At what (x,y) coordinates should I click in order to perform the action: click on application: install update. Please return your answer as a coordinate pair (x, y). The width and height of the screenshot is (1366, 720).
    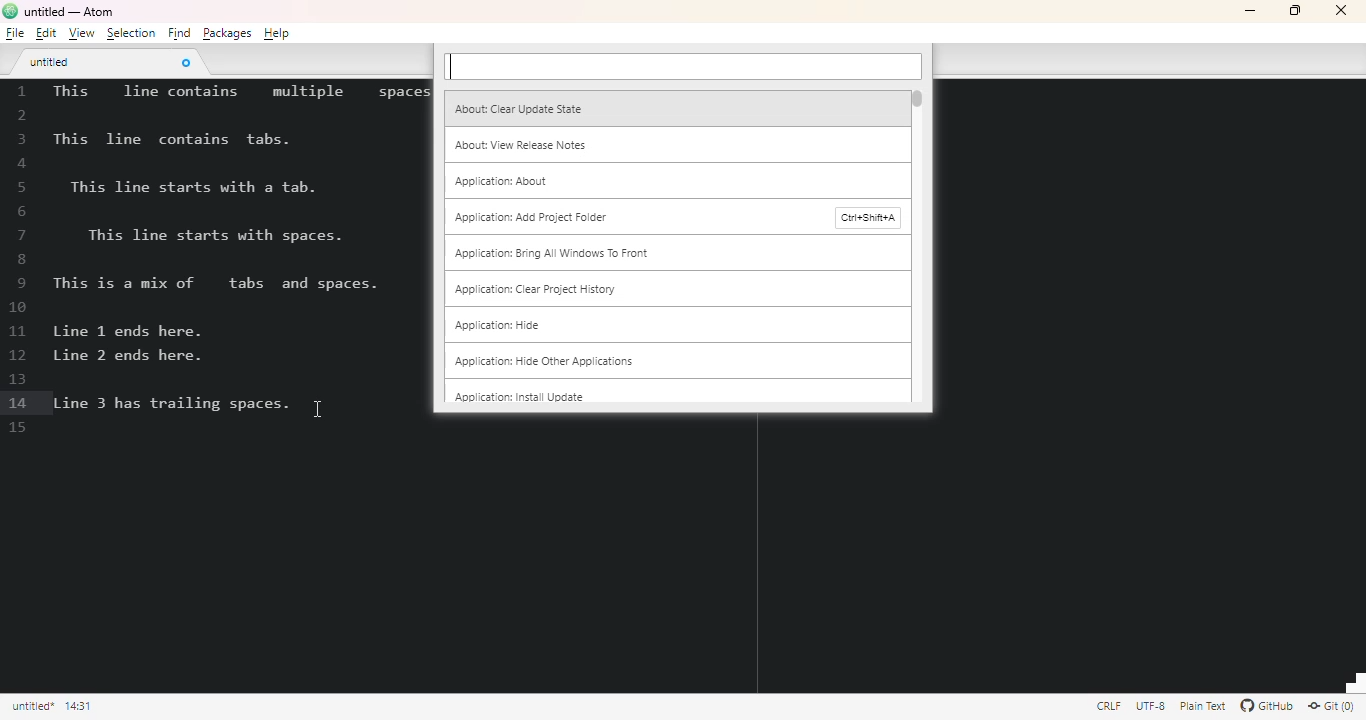
    Looking at the image, I should click on (520, 395).